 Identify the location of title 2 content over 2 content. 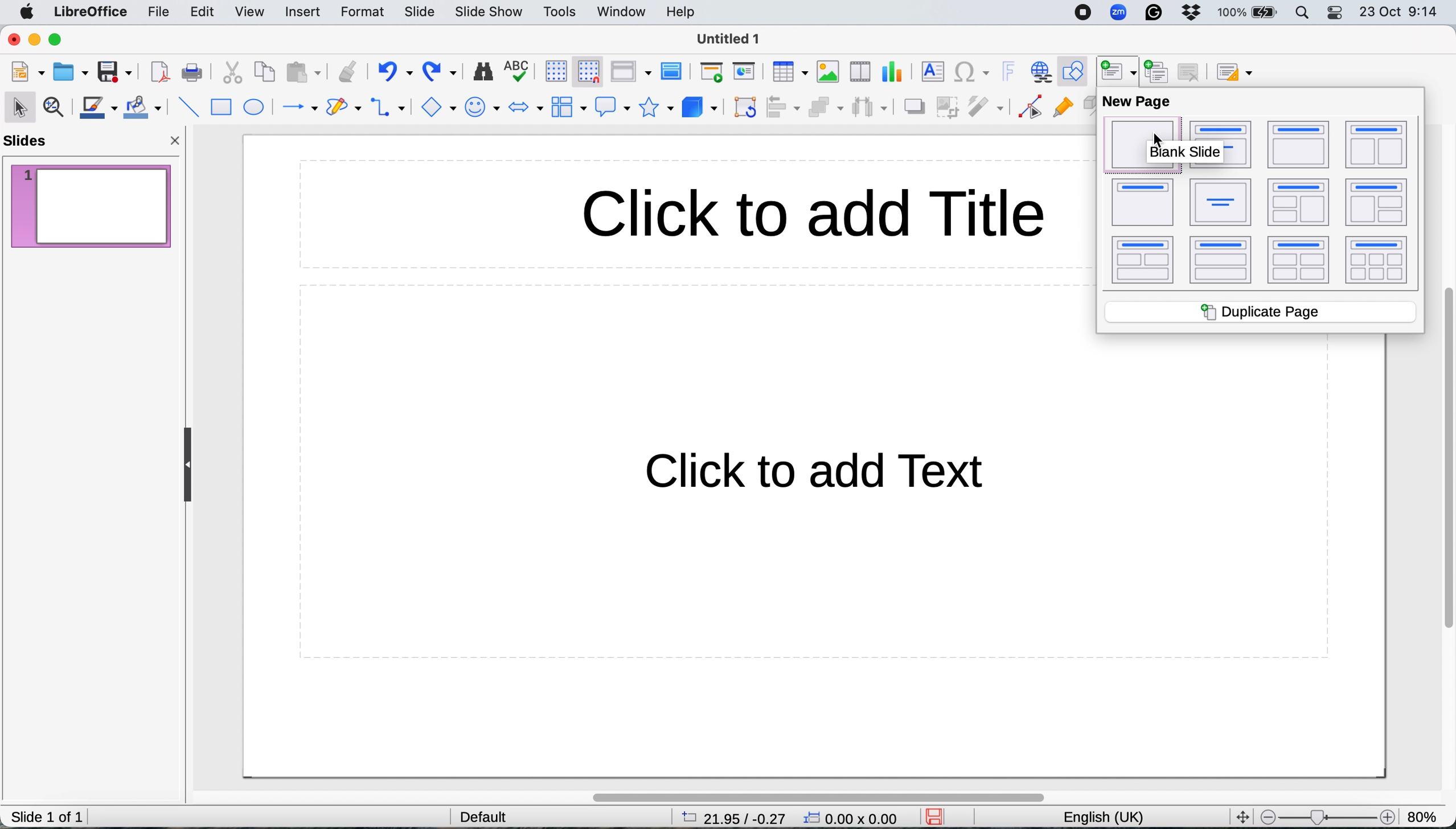
(1300, 260).